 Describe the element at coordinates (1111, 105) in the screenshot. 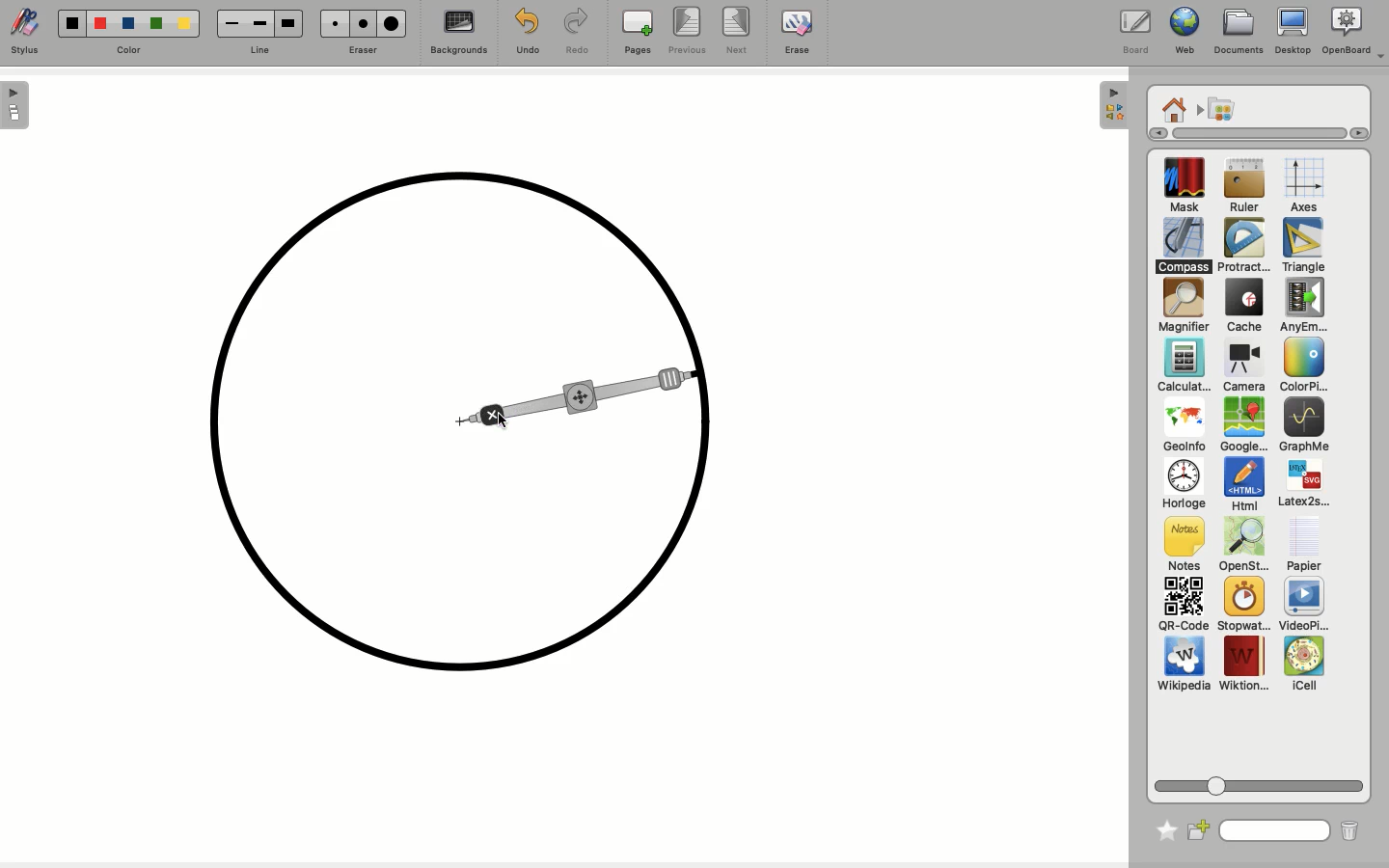

I see `hide sidebar` at that location.